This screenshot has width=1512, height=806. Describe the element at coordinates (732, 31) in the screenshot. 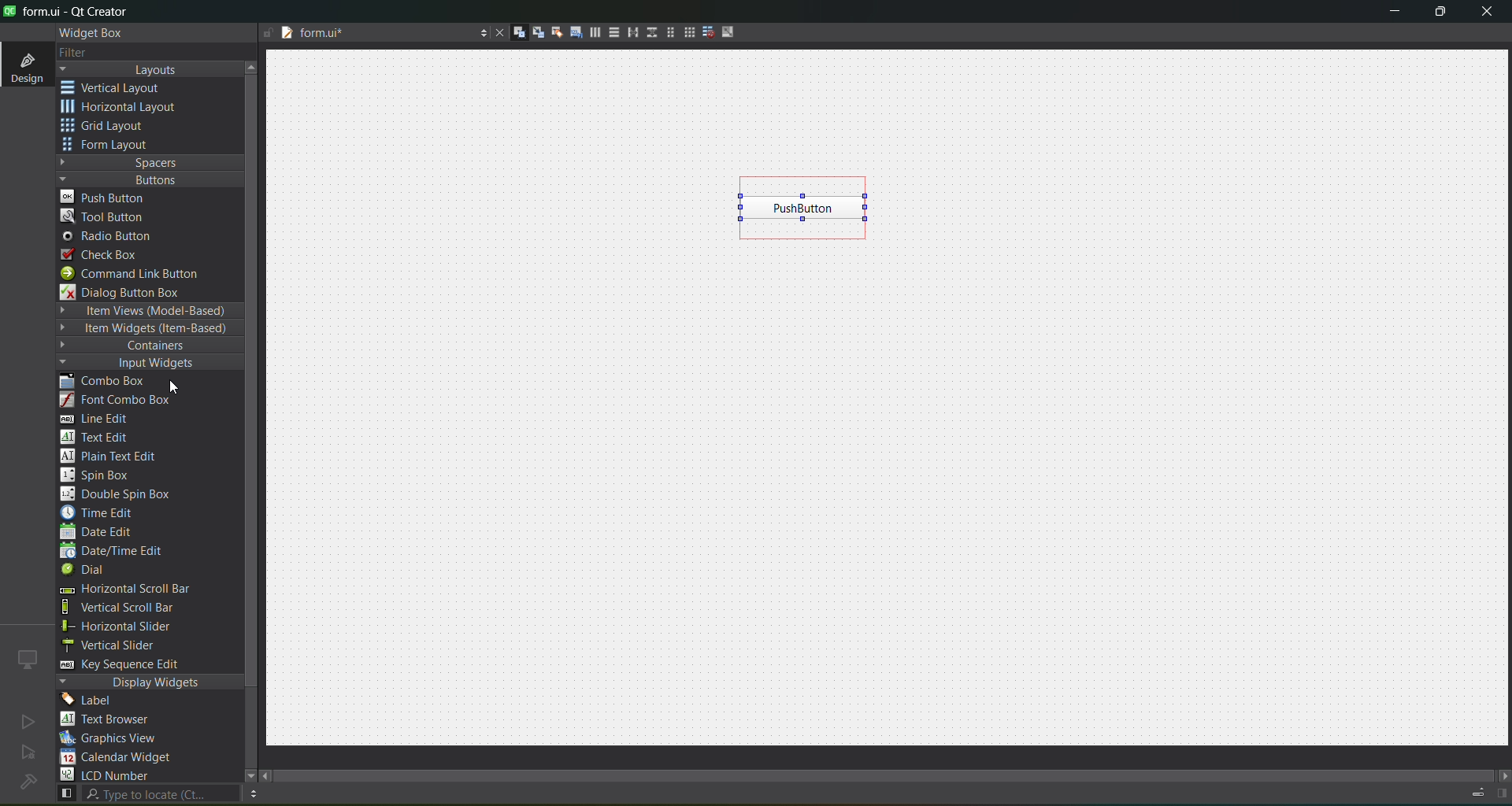

I see `adjust size` at that location.